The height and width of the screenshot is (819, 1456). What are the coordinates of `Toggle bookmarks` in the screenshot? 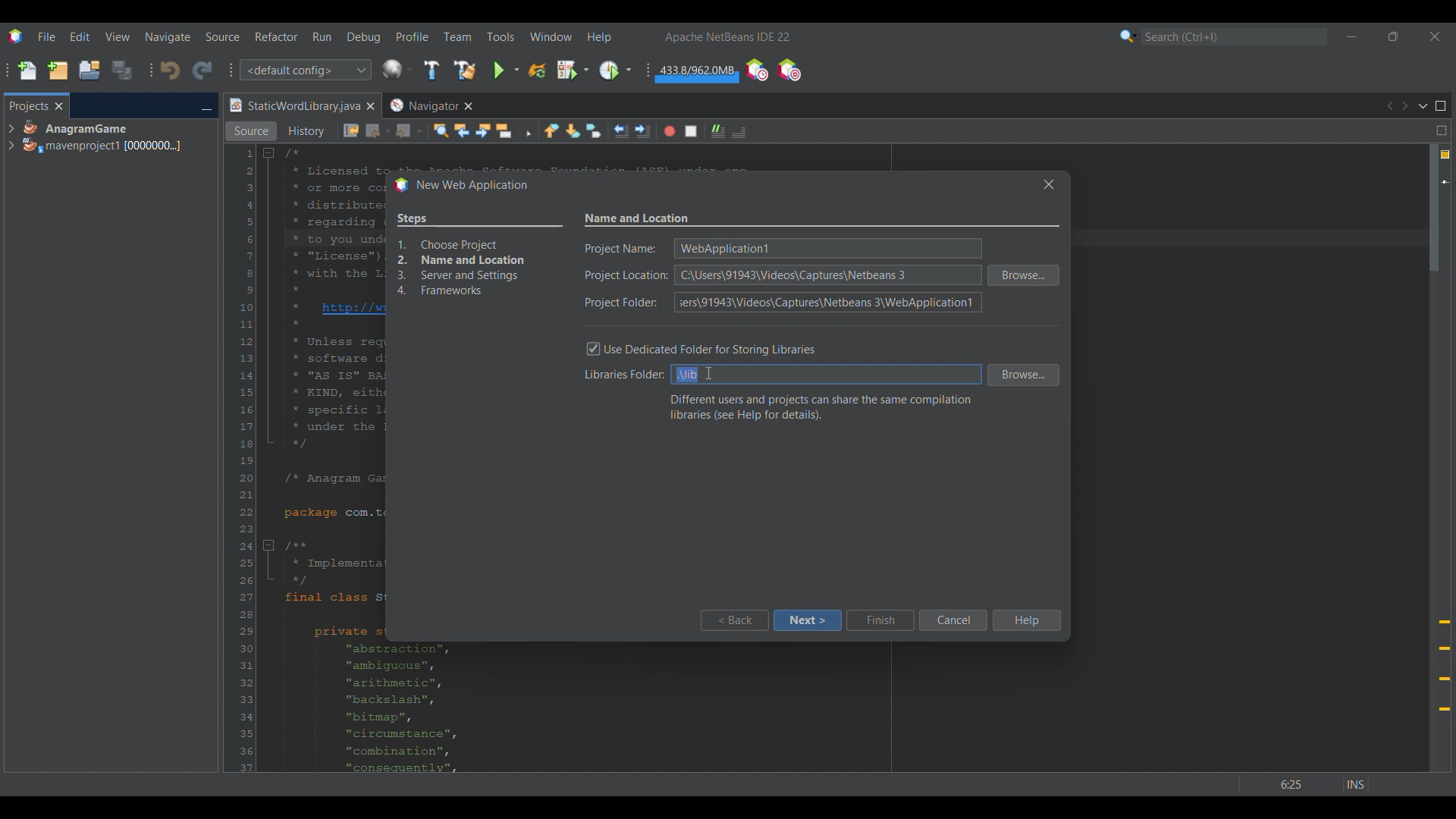 It's located at (593, 130).